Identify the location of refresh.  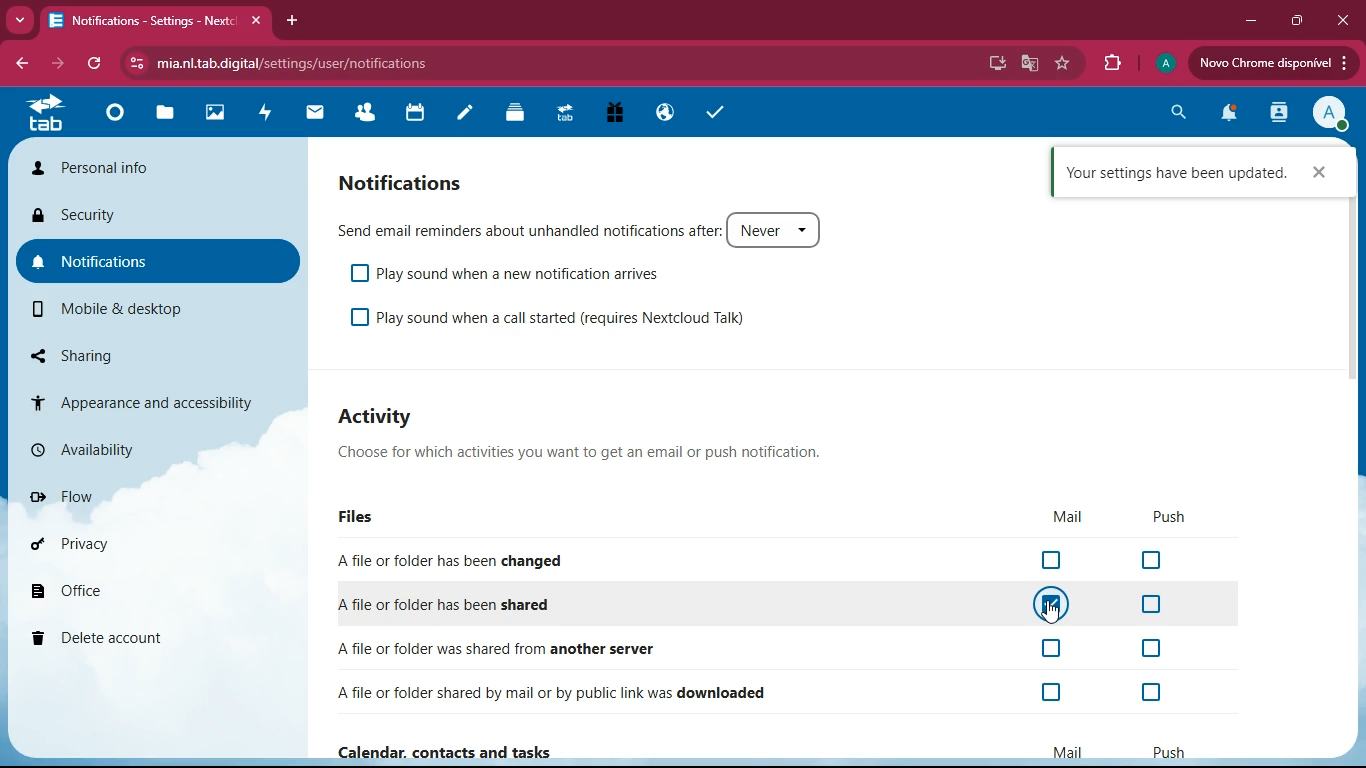
(97, 62).